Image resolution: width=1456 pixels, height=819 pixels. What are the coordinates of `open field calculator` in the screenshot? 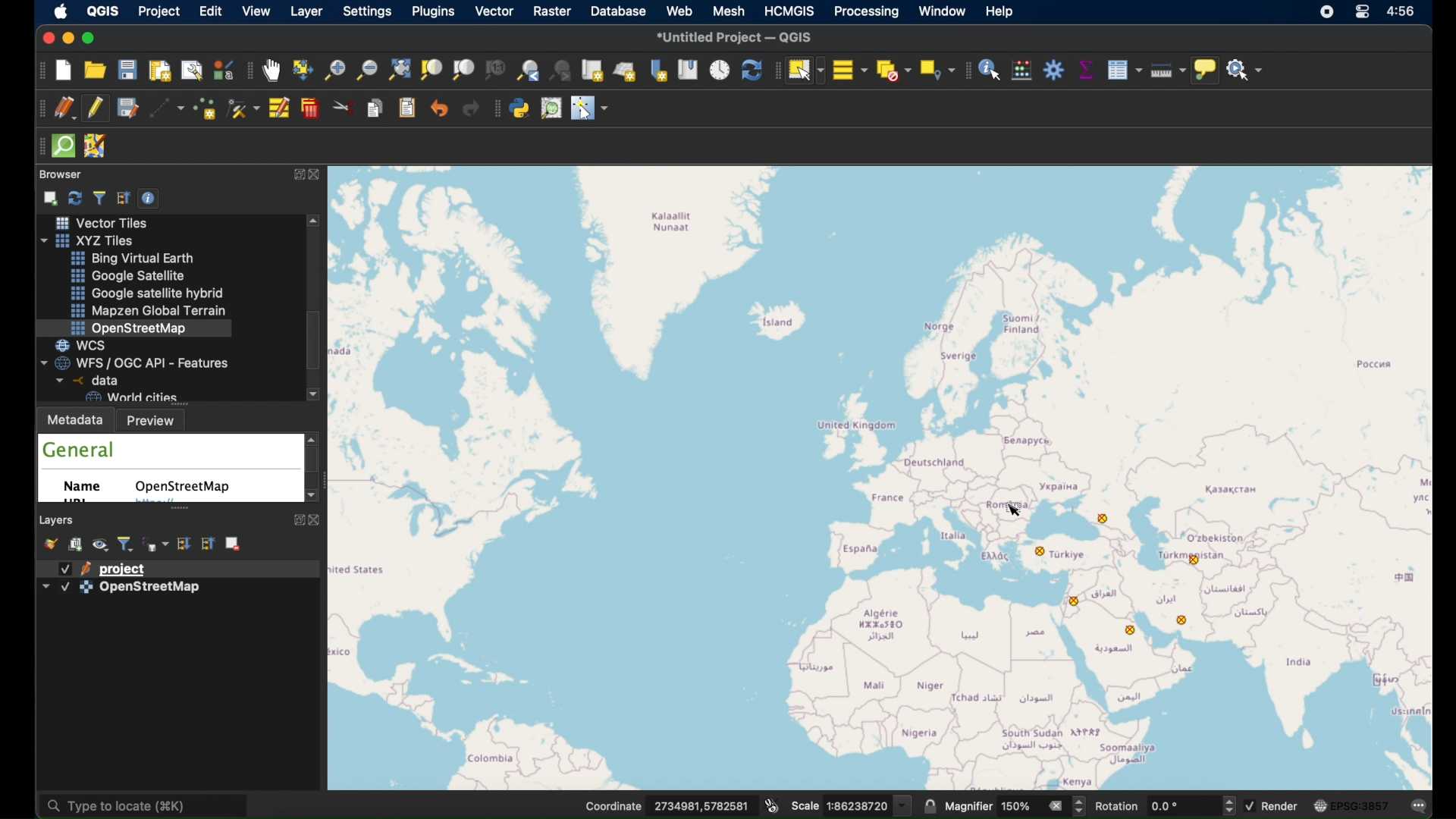 It's located at (1022, 70).